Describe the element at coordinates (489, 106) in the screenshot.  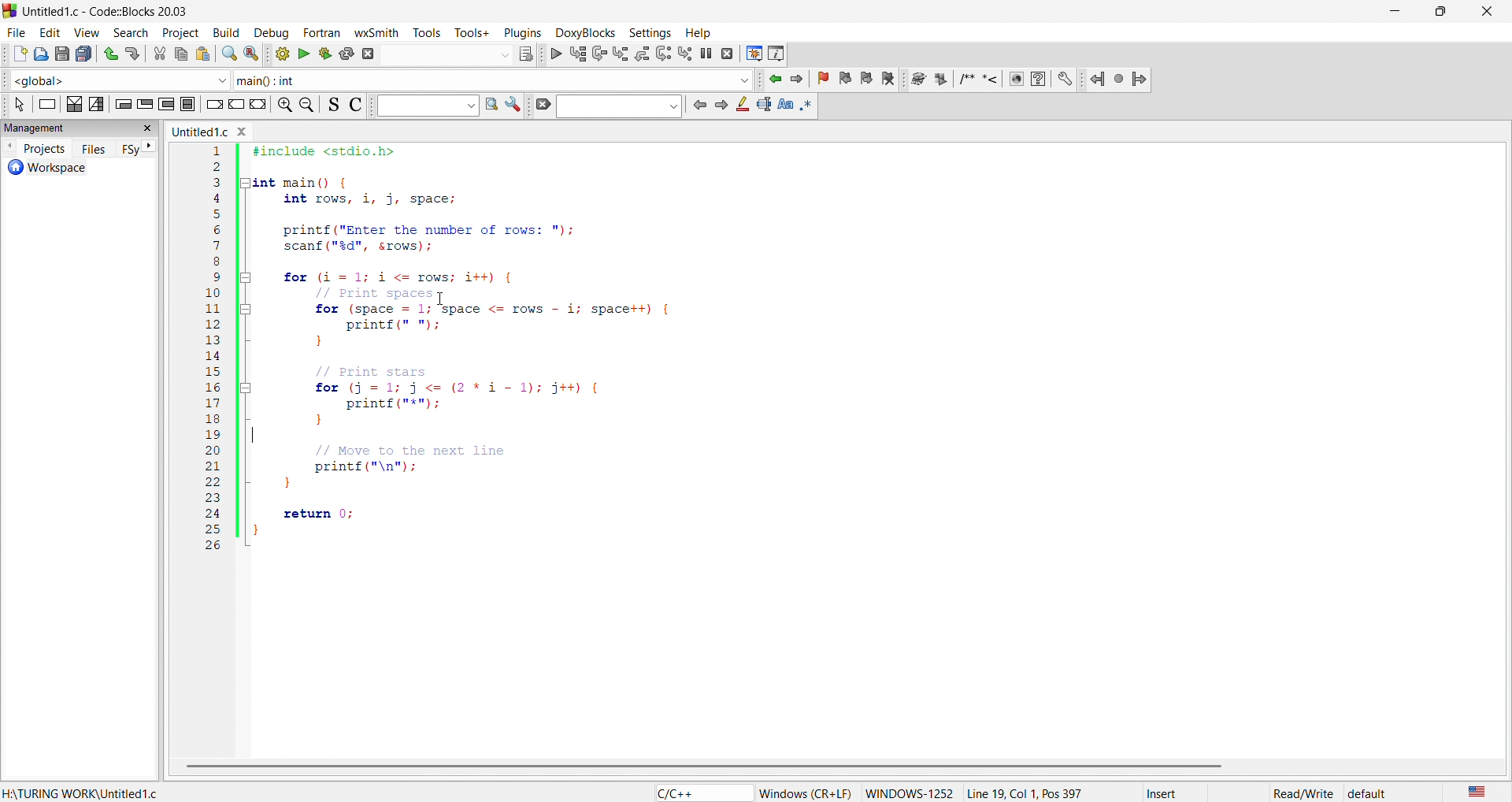
I see `find in page` at that location.